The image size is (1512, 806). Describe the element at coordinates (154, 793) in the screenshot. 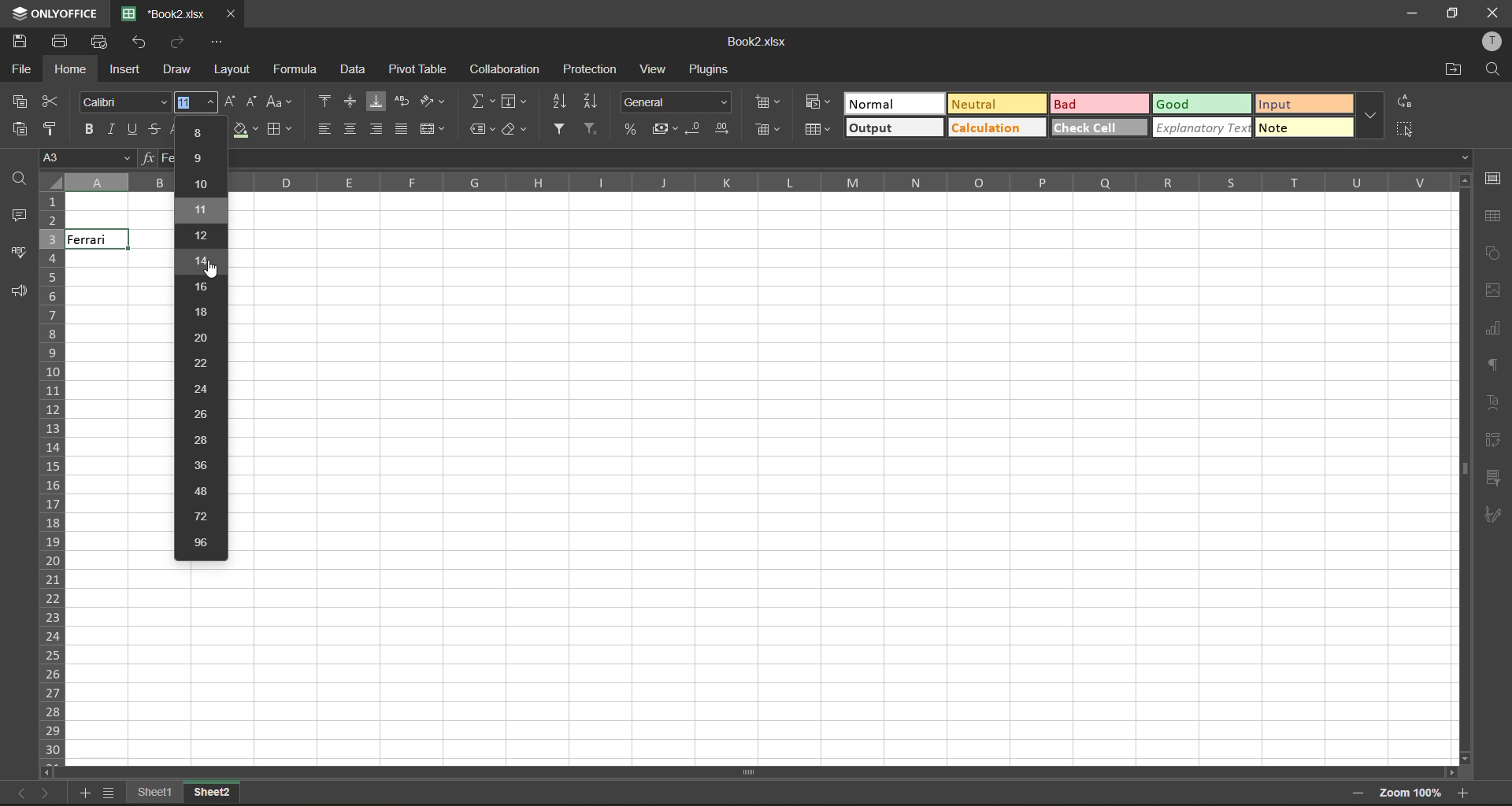

I see `sheet names` at that location.